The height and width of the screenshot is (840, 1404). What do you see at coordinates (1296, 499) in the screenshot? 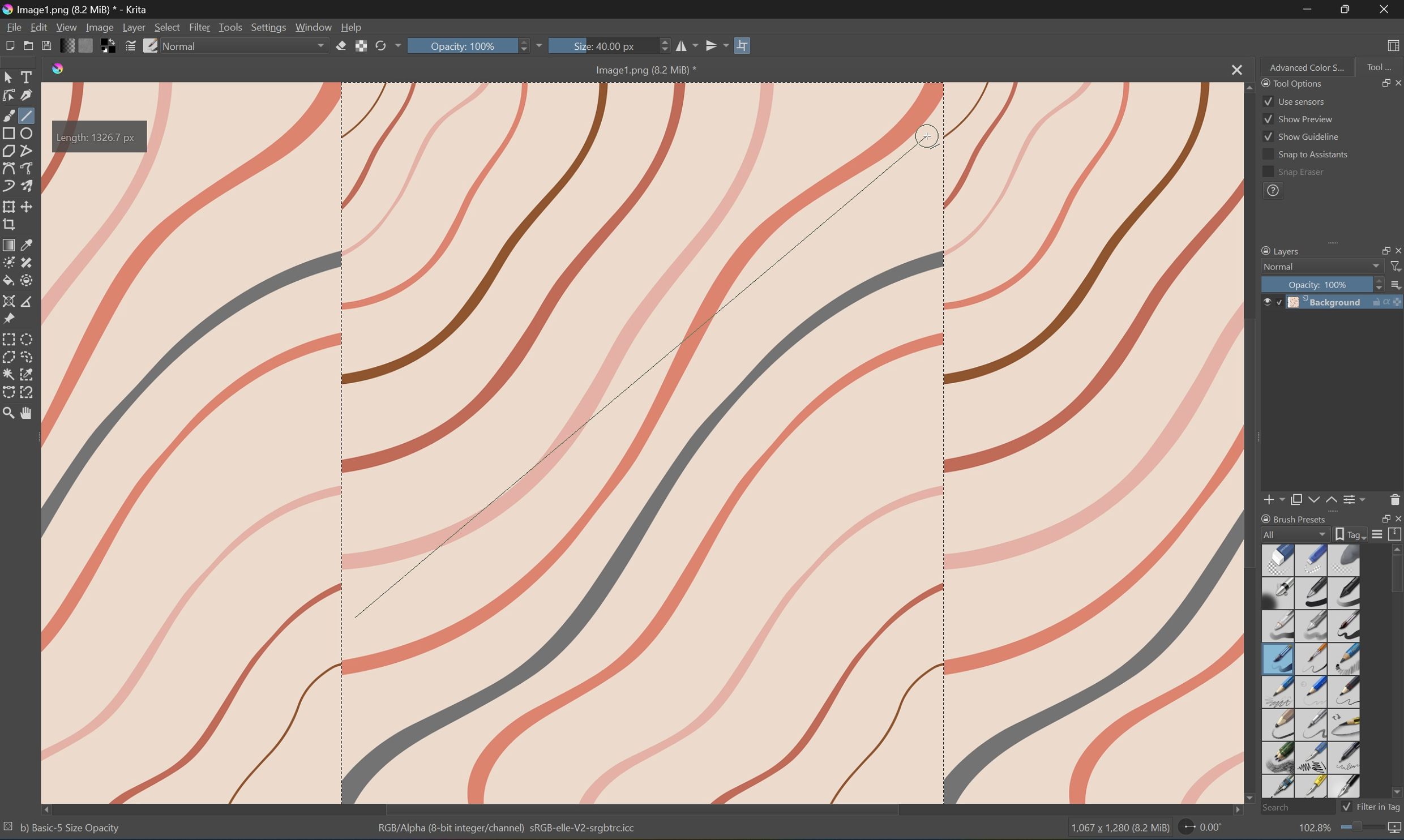
I see `Duplicate layer or mask ` at bounding box center [1296, 499].